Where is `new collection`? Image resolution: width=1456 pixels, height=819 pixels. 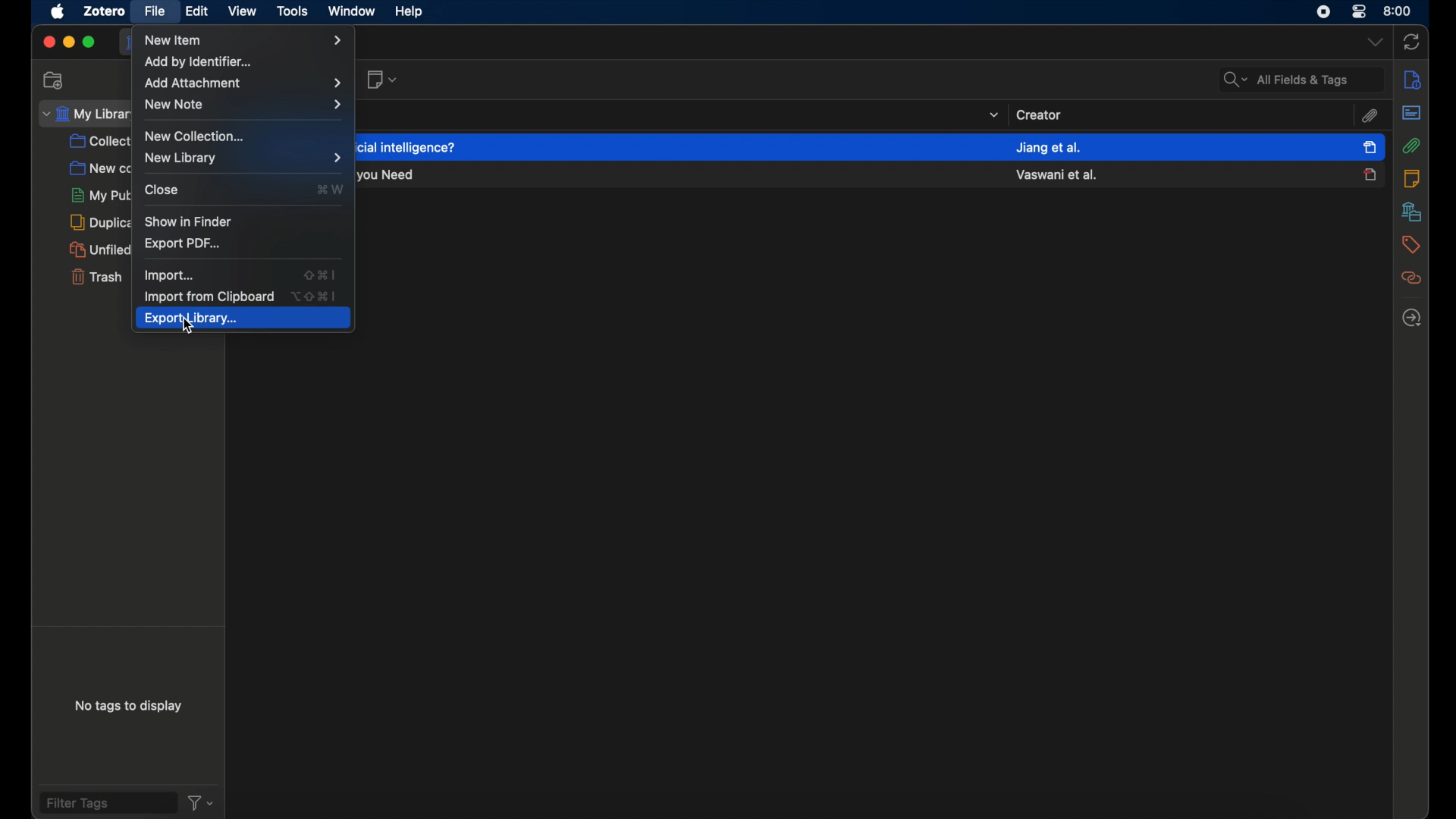
new collection is located at coordinates (96, 168).